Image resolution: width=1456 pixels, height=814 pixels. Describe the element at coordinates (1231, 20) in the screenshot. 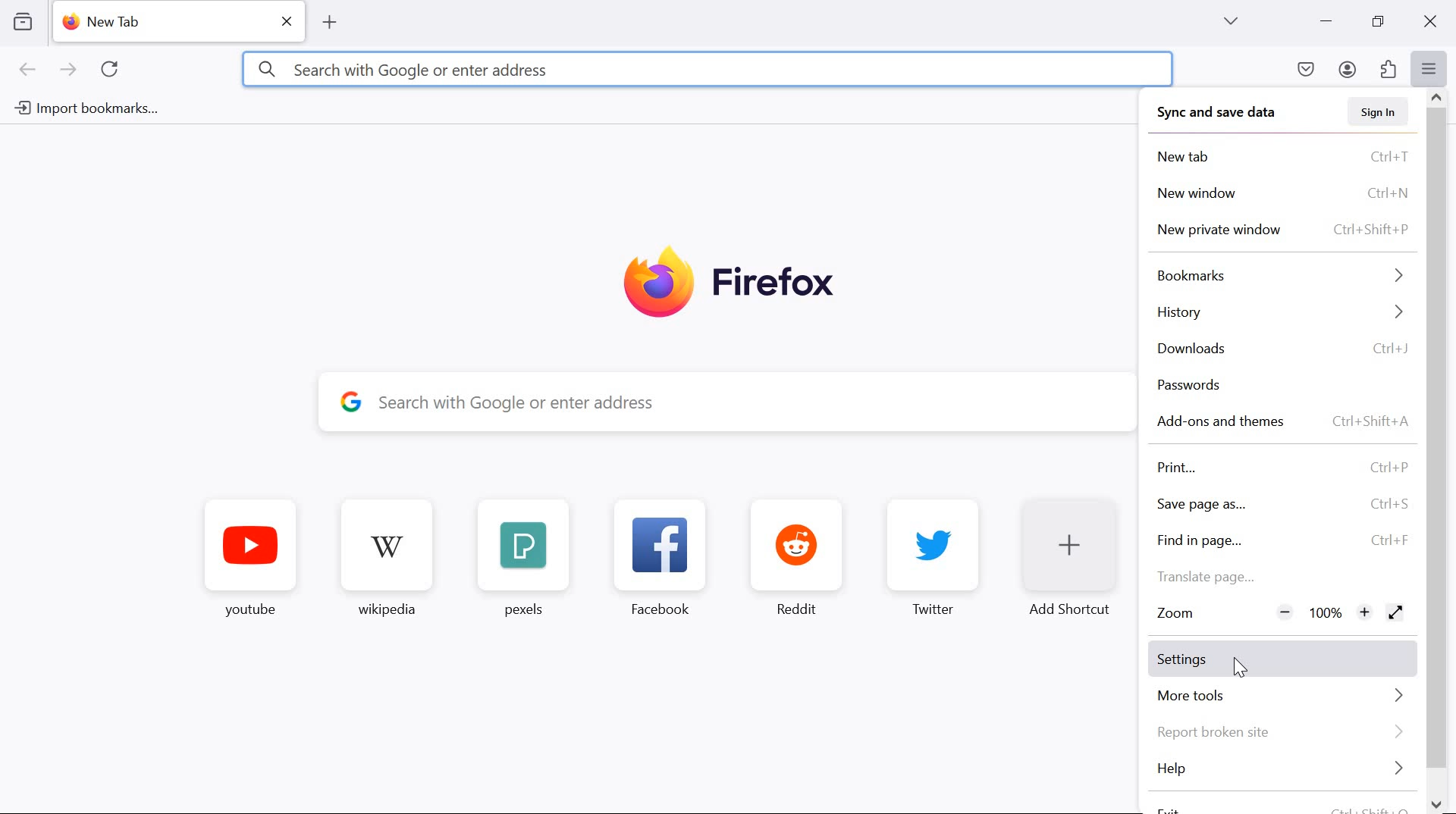

I see `list all tabs` at that location.